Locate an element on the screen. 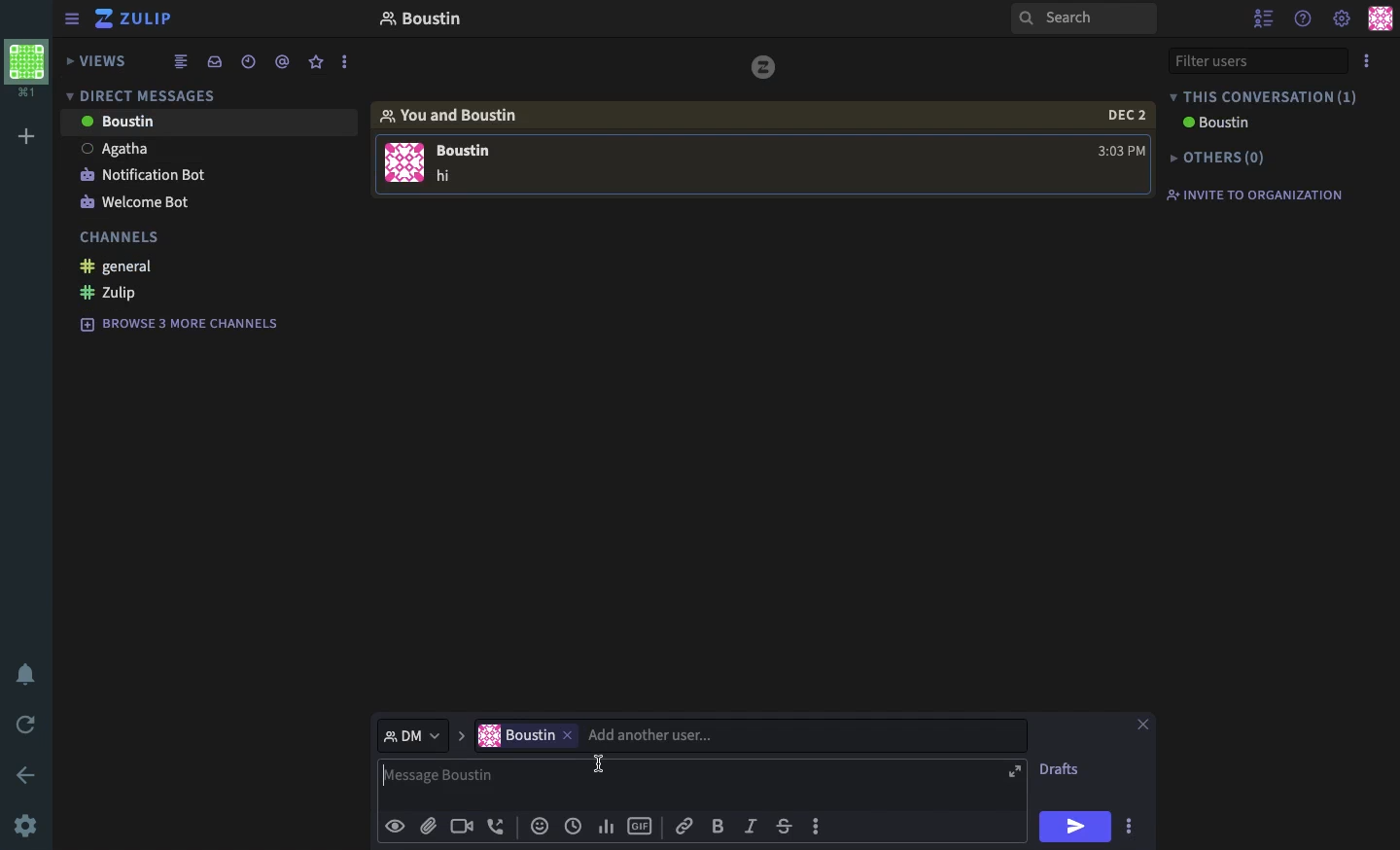 The image size is (1400, 850). close is located at coordinates (1138, 727).